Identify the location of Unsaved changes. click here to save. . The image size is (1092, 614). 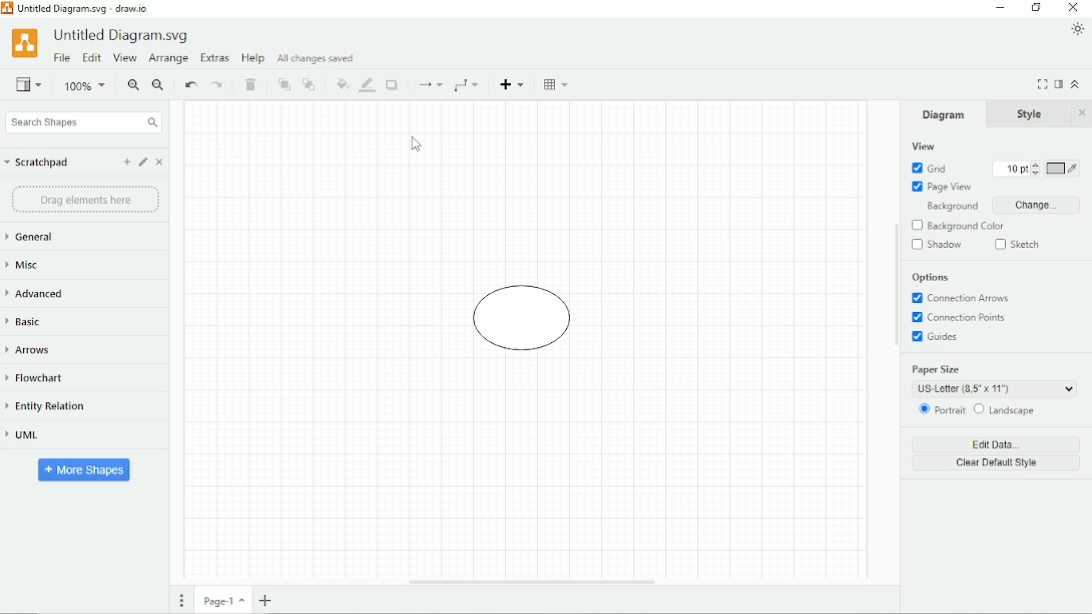
(369, 57).